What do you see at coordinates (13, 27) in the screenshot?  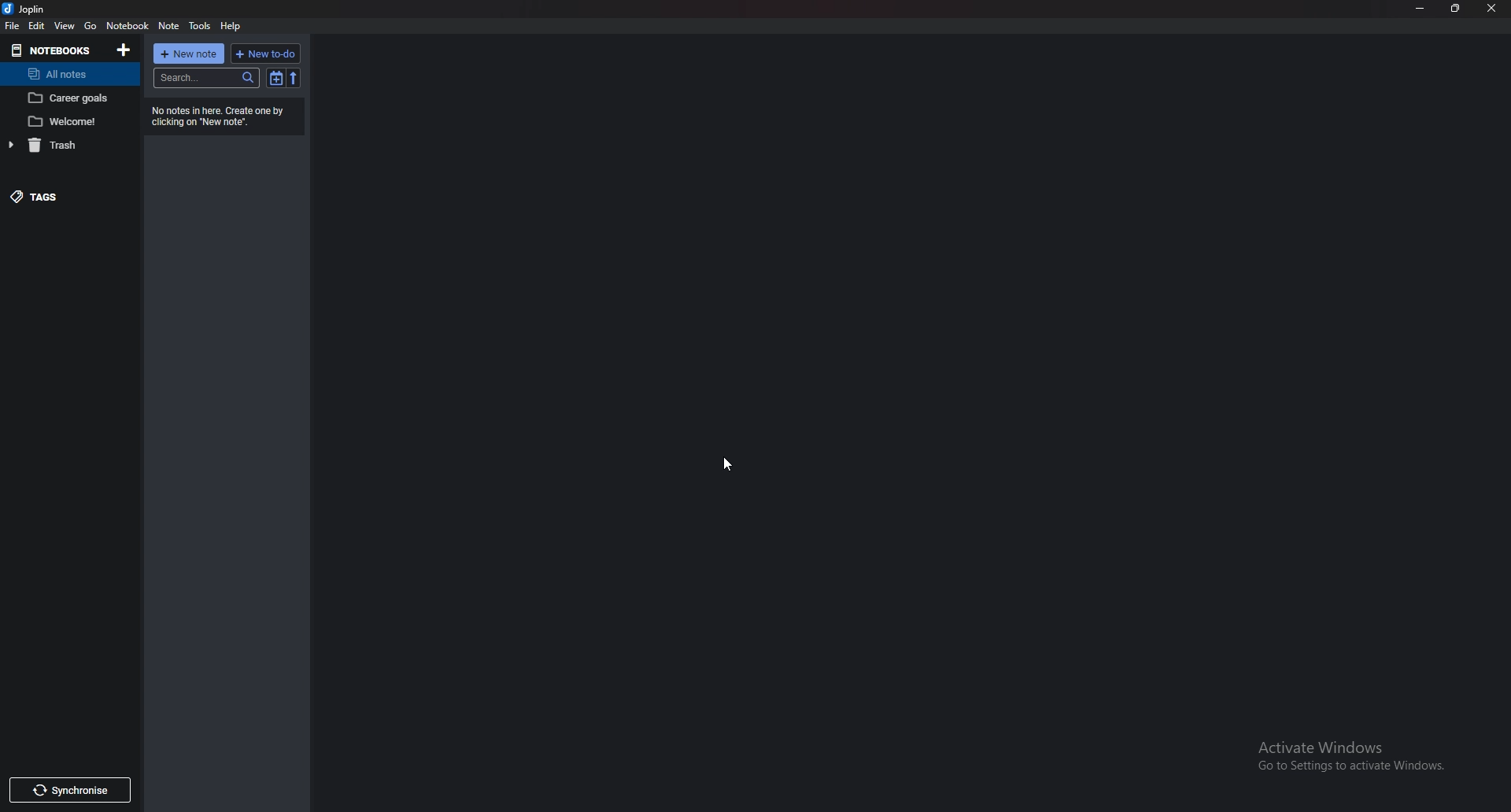 I see `file` at bounding box center [13, 27].